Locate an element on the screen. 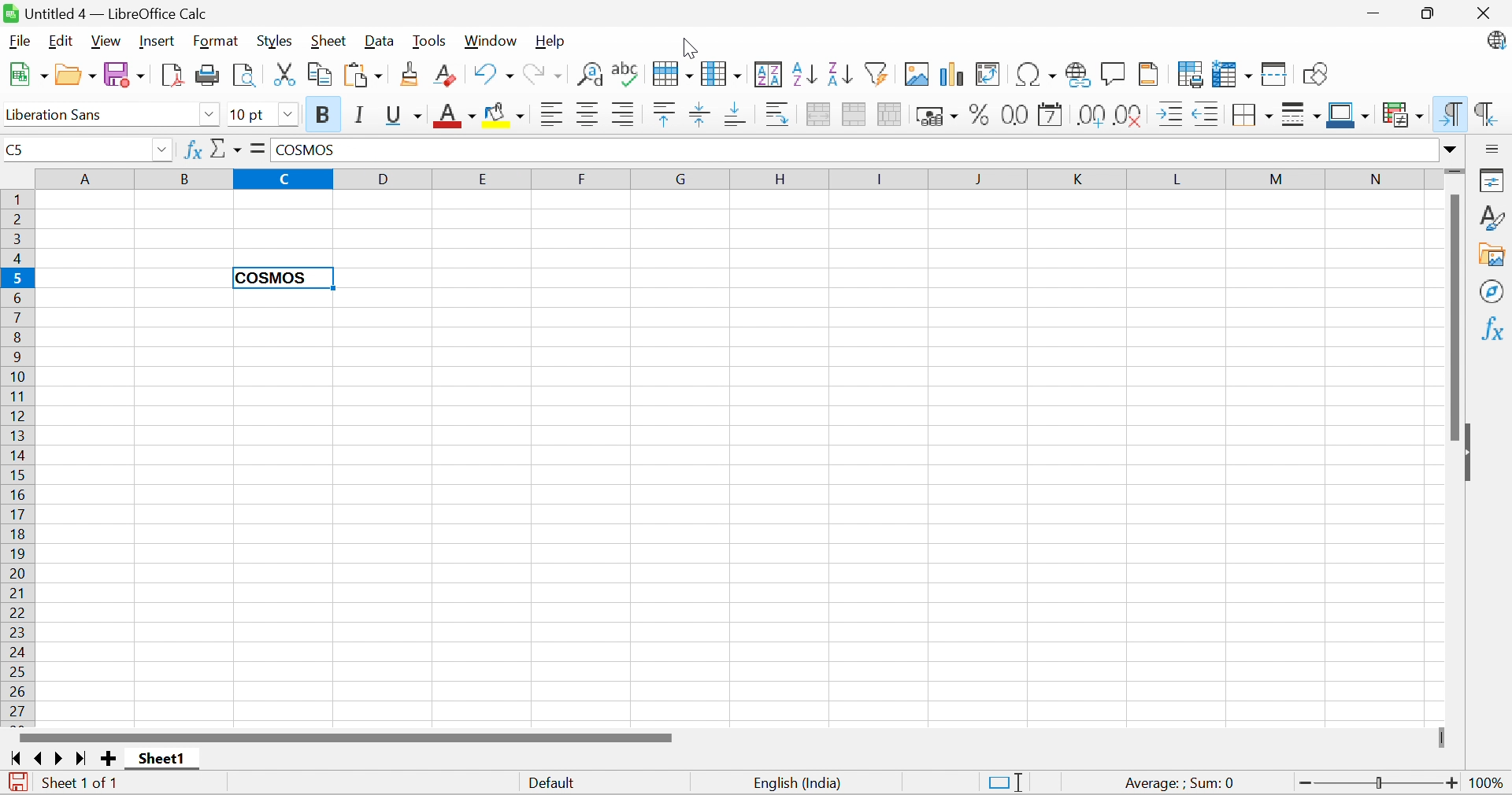 The height and width of the screenshot is (795, 1512). Format as Percent is located at coordinates (977, 115).